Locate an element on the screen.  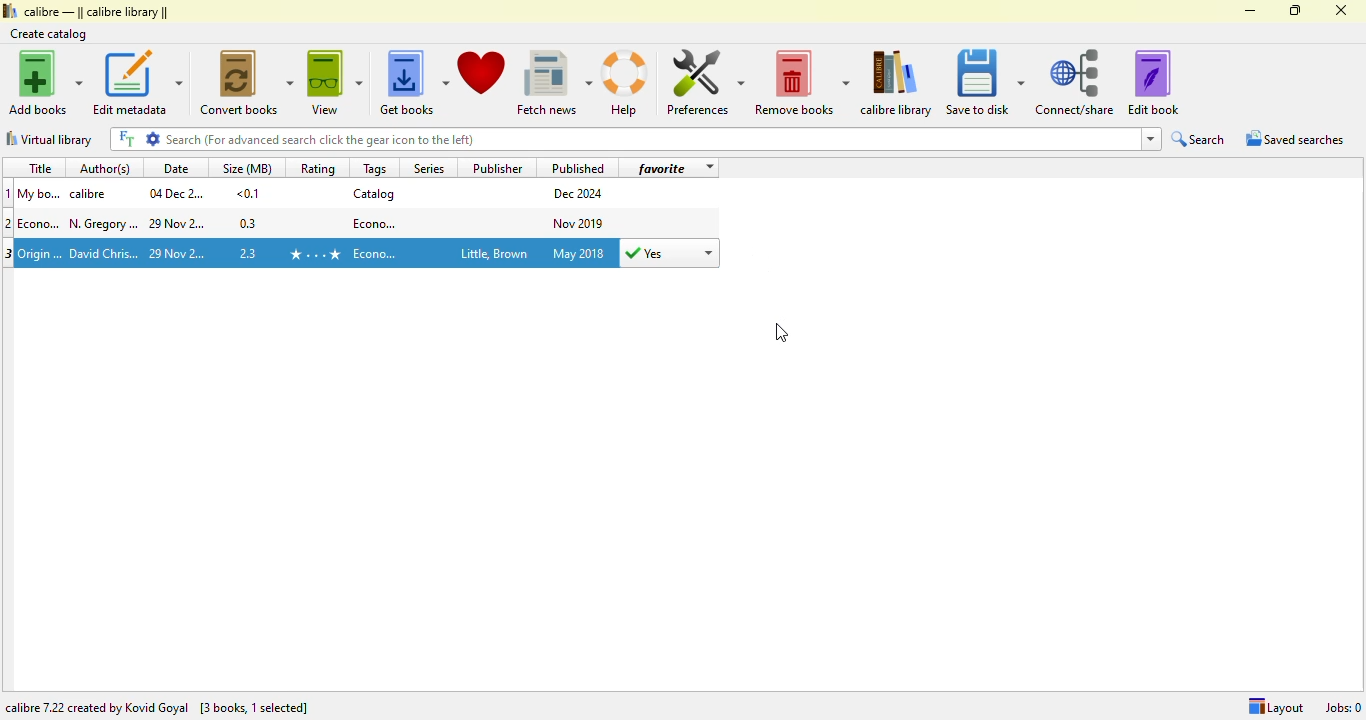
saved searches is located at coordinates (1295, 138).